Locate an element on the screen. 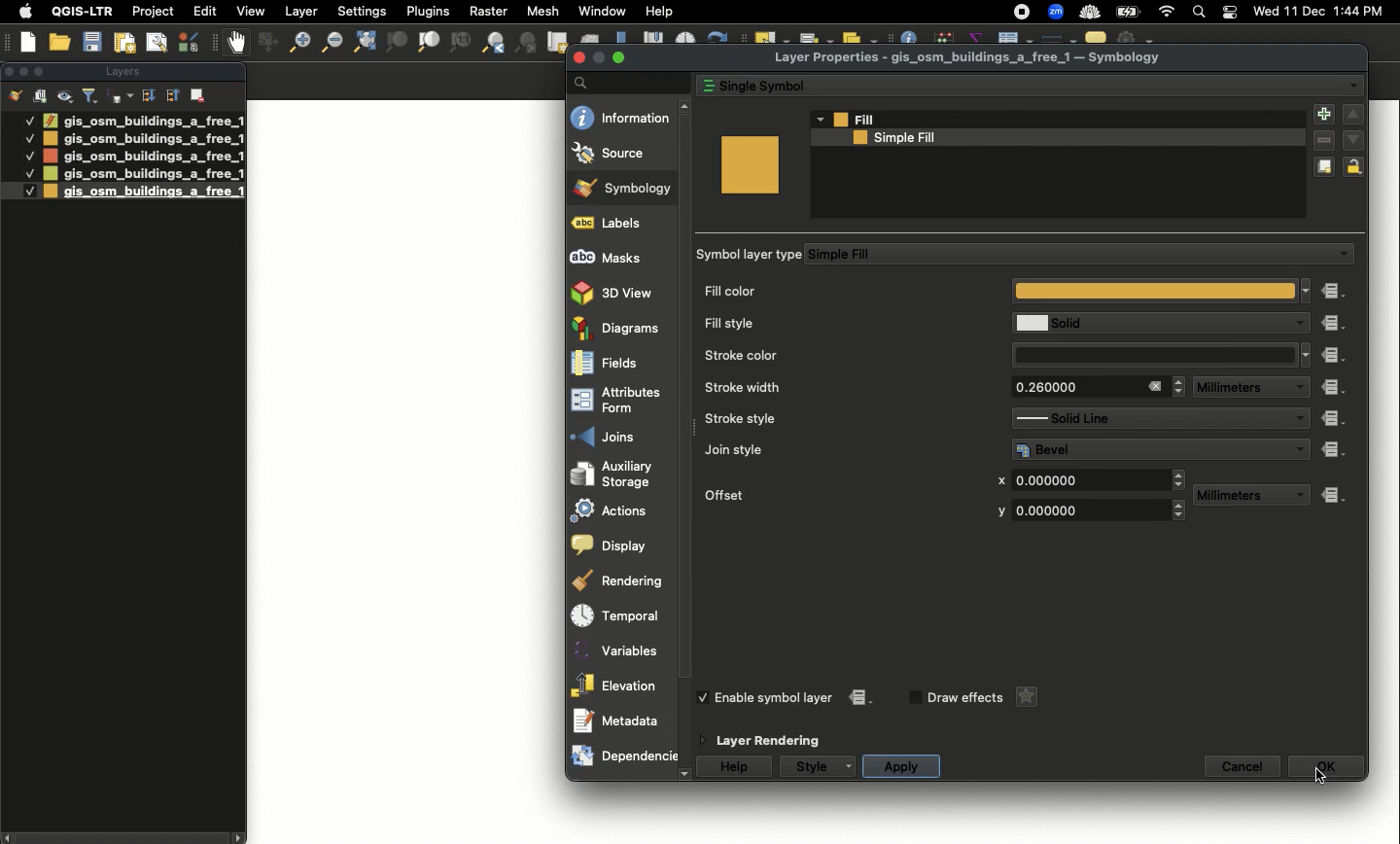  Clsoe is located at coordinates (9, 71).